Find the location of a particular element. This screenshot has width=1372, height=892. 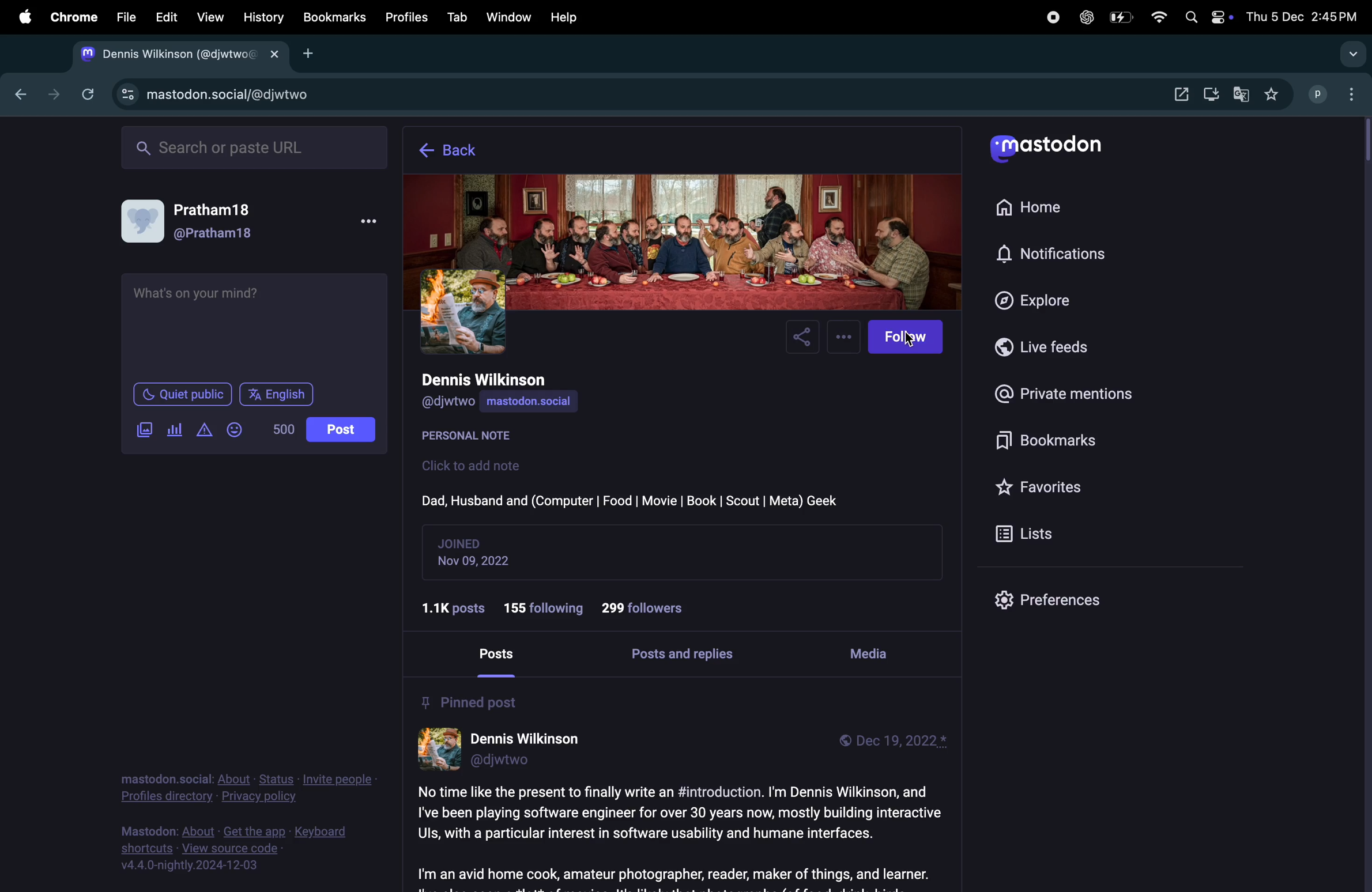

prefrences is located at coordinates (1049, 602).